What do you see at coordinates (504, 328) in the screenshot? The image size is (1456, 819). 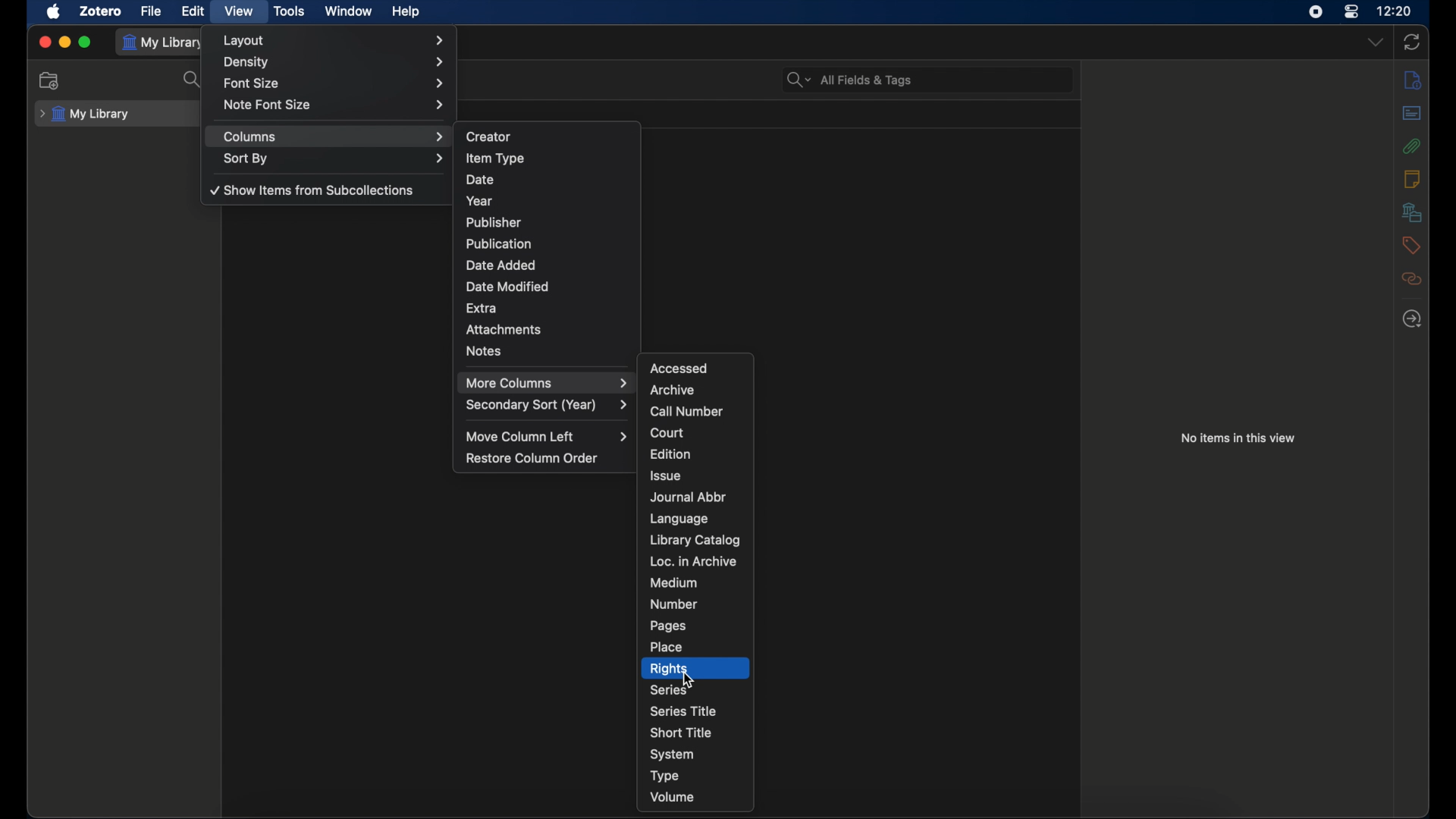 I see `attachments` at bounding box center [504, 328].